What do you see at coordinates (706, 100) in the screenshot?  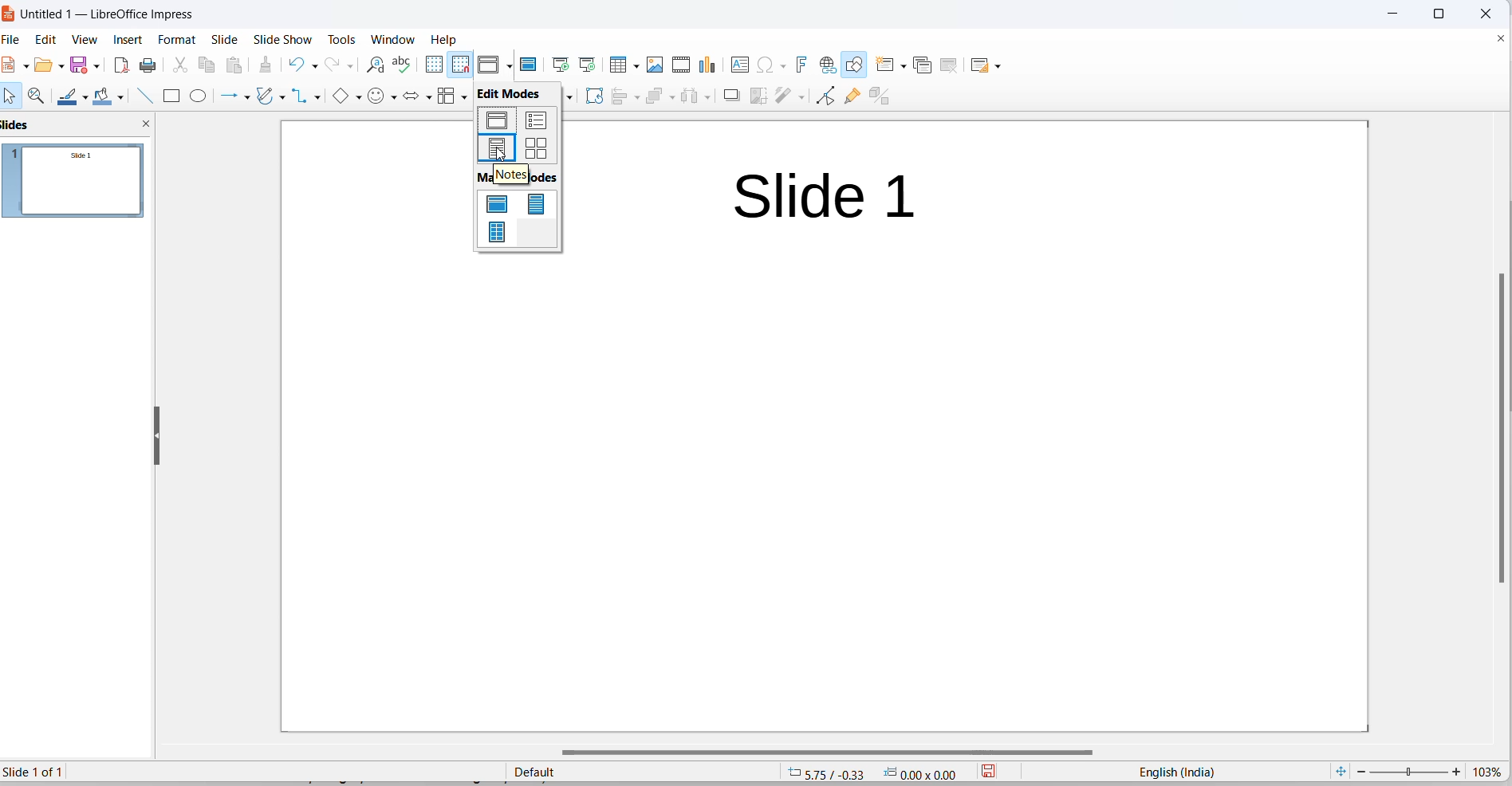 I see `distribute object options` at bounding box center [706, 100].